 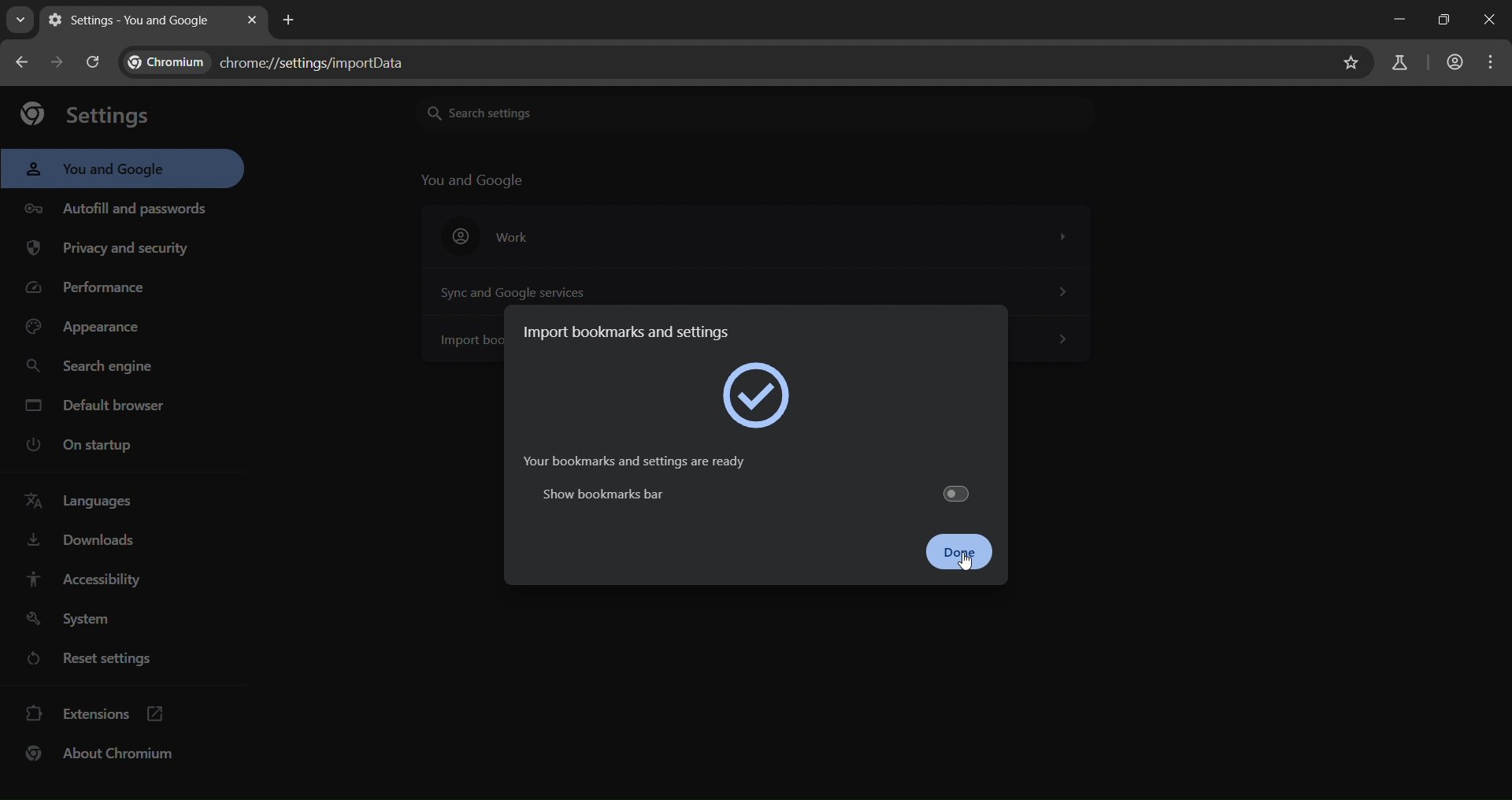 What do you see at coordinates (117, 203) in the screenshot?
I see `utofill and passwords` at bounding box center [117, 203].